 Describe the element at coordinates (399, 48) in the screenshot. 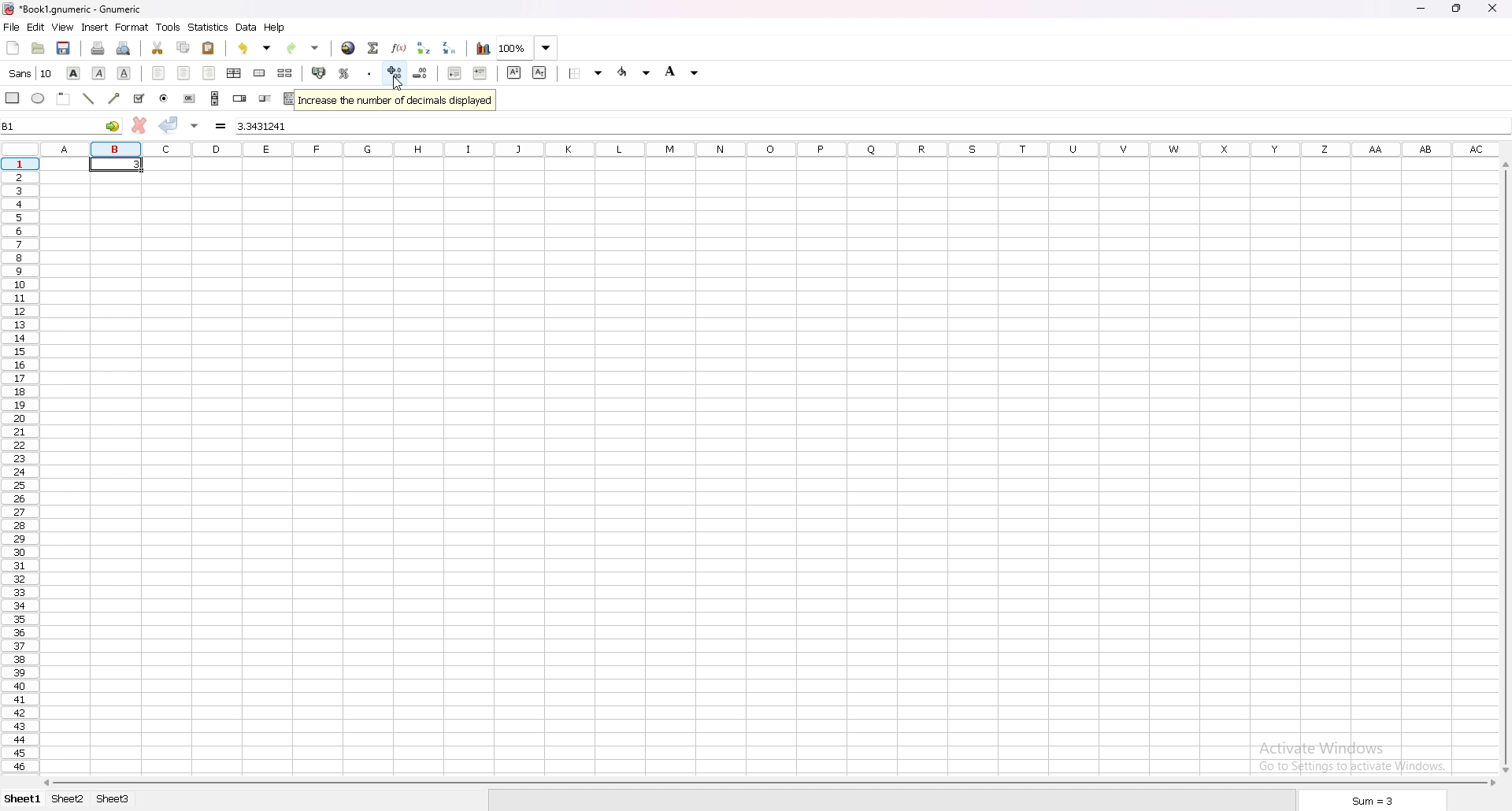

I see `functions` at that location.